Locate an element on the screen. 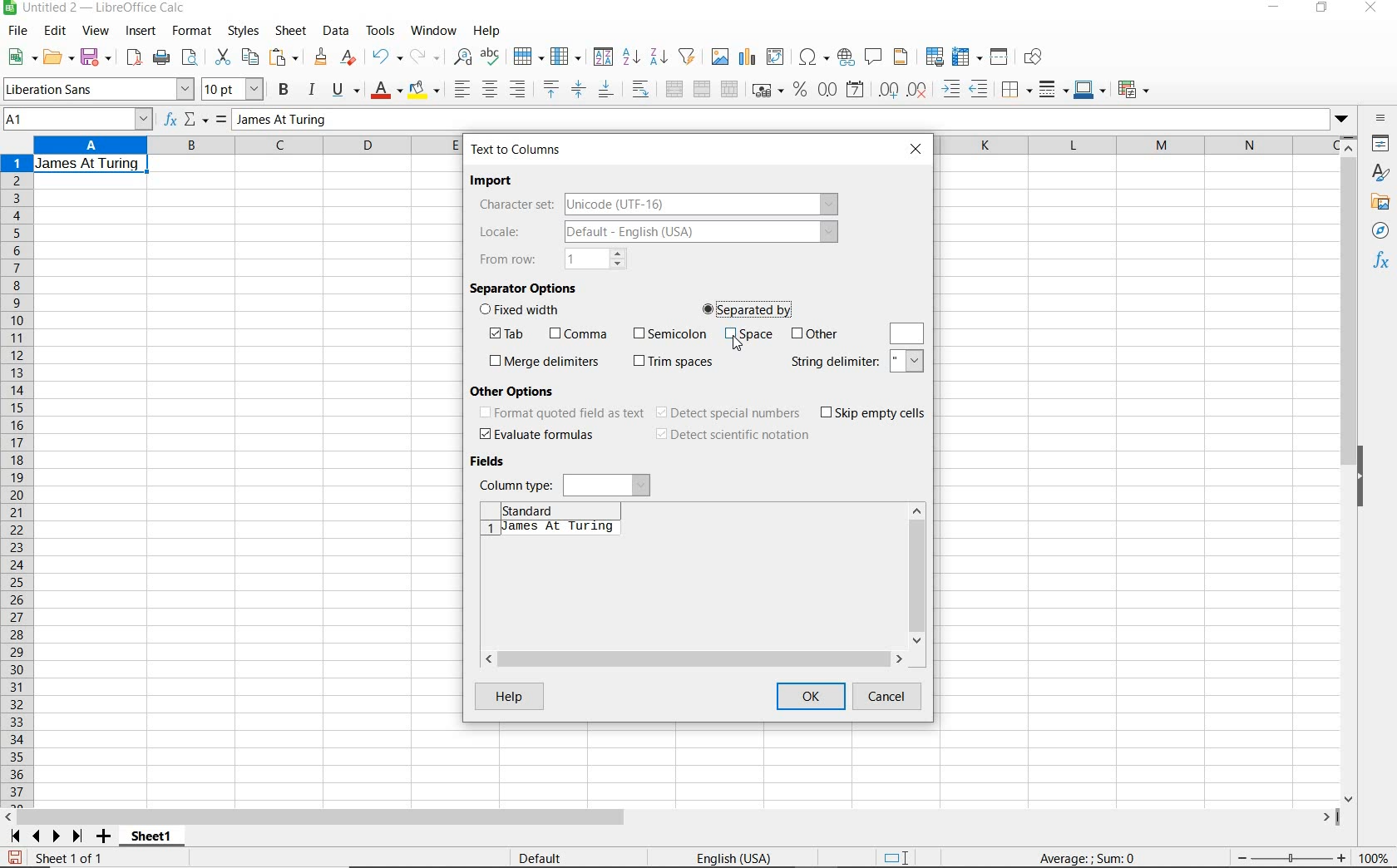 This screenshot has width=1397, height=868. merge delimiters is located at coordinates (544, 362).